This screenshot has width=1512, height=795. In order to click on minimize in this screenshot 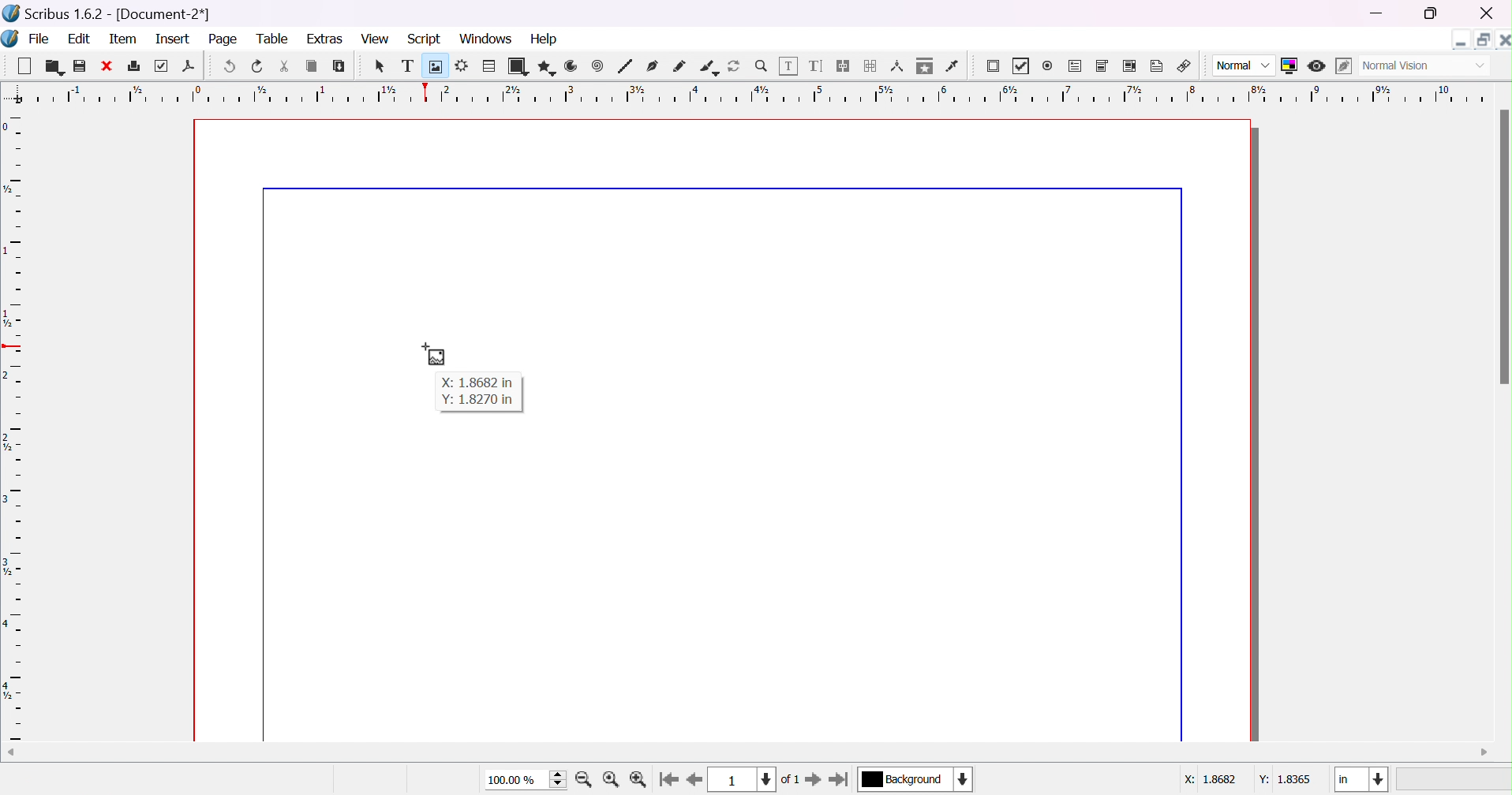, I will do `click(1380, 14)`.